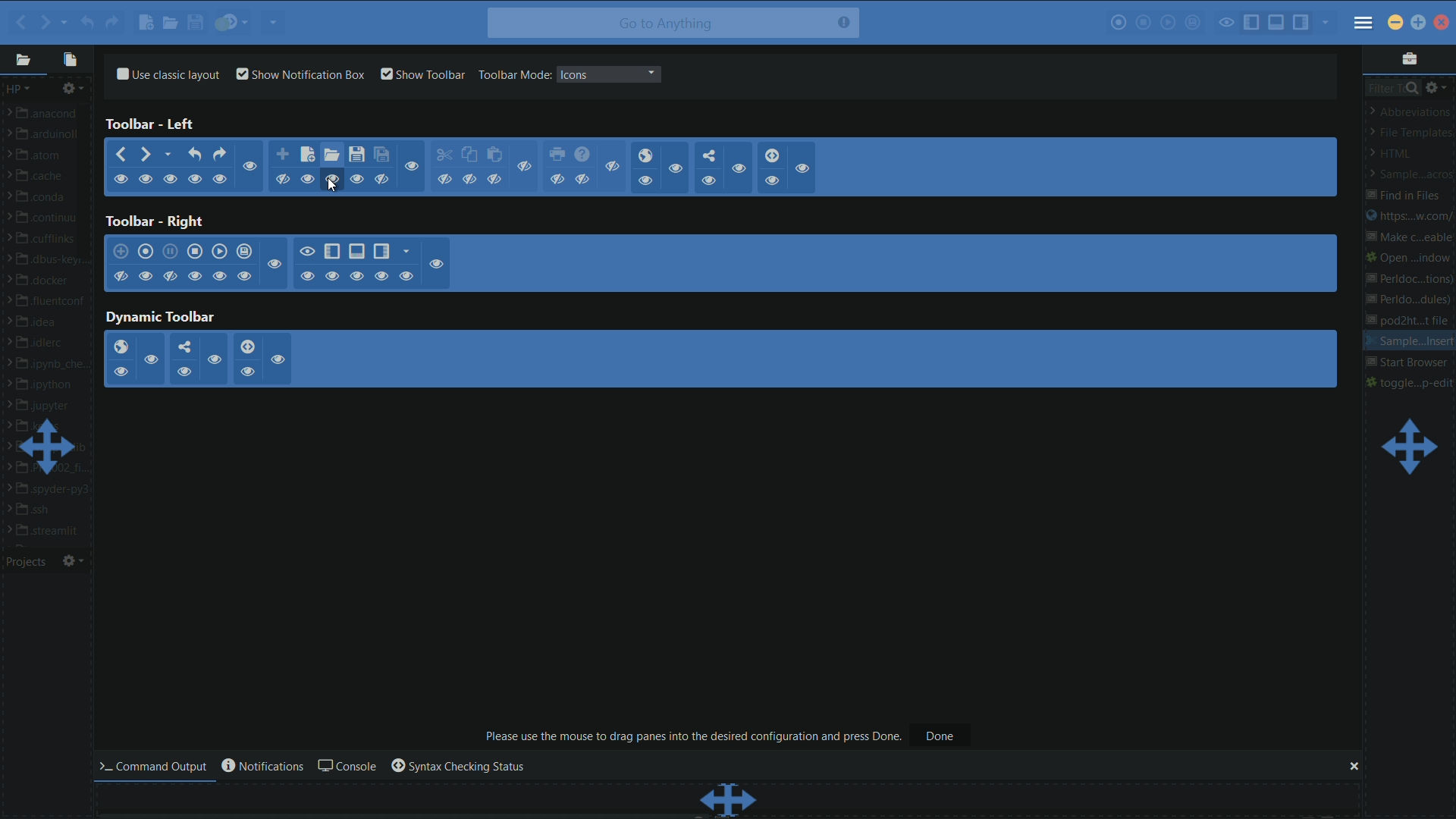  Describe the element at coordinates (166, 73) in the screenshot. I see `use classic layout` at that location.